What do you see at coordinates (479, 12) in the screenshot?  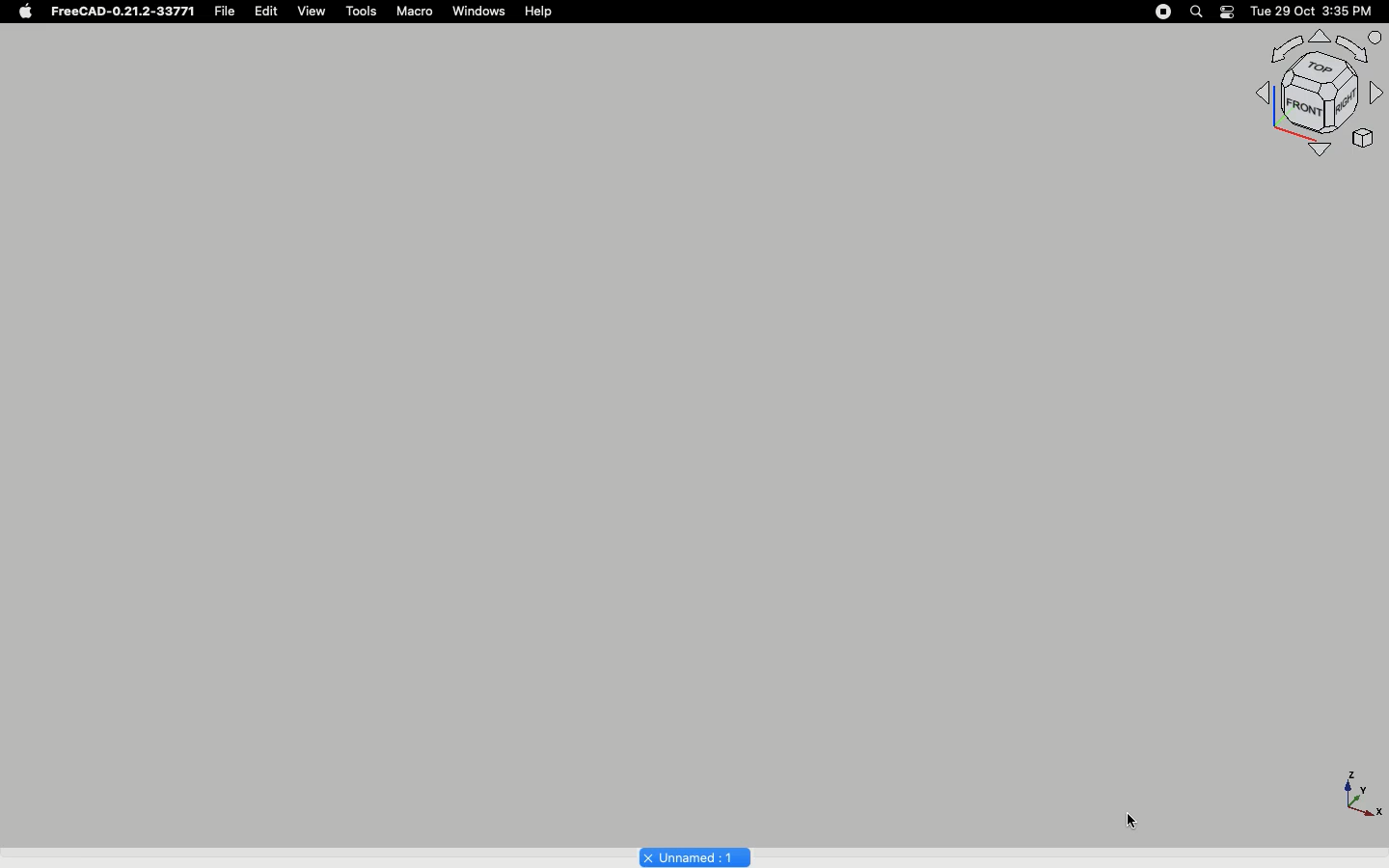 I see `windows` at bounding box center [479, 12].